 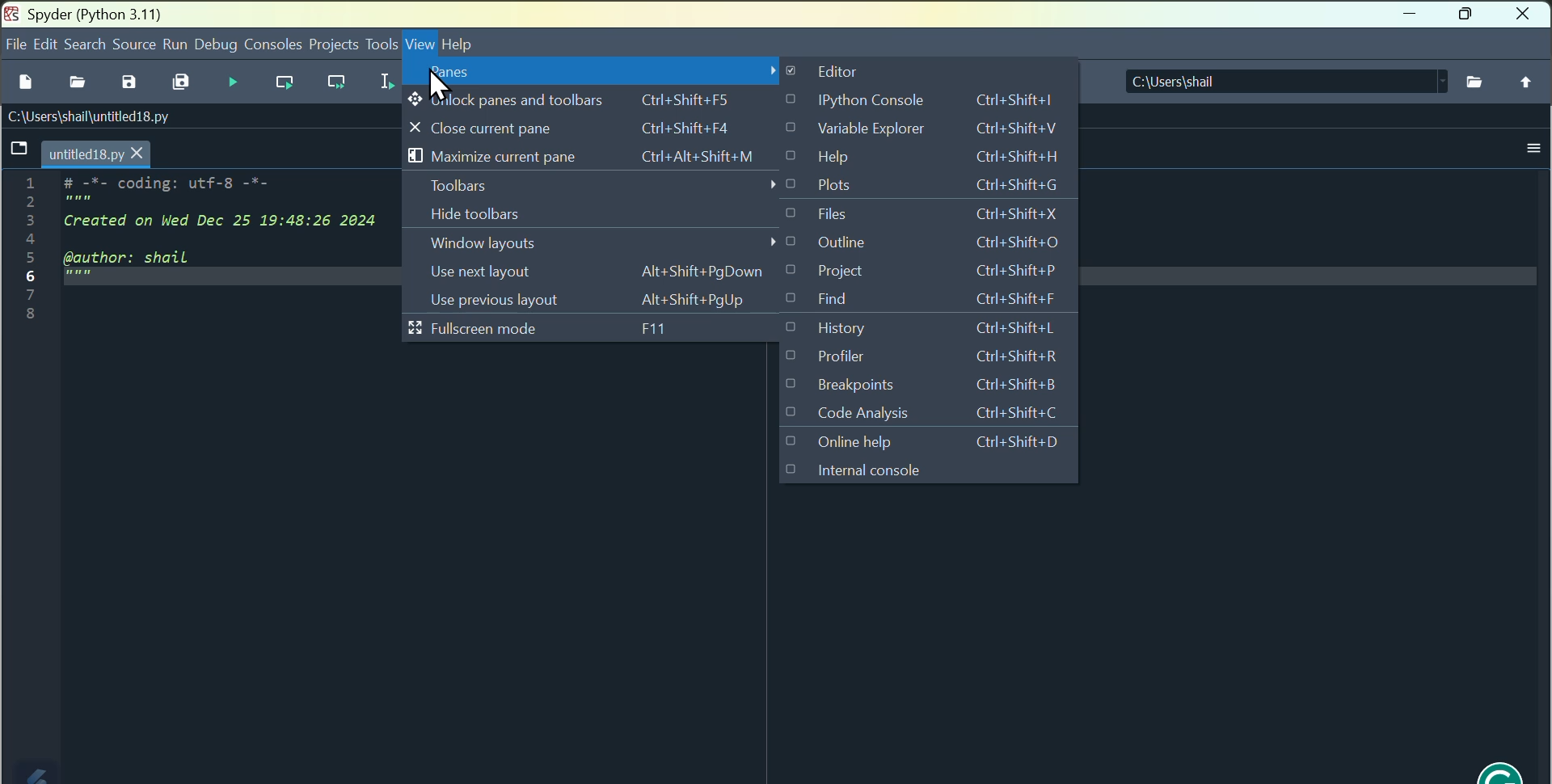 I want to click on Profiler, so click(x=924, y=359).